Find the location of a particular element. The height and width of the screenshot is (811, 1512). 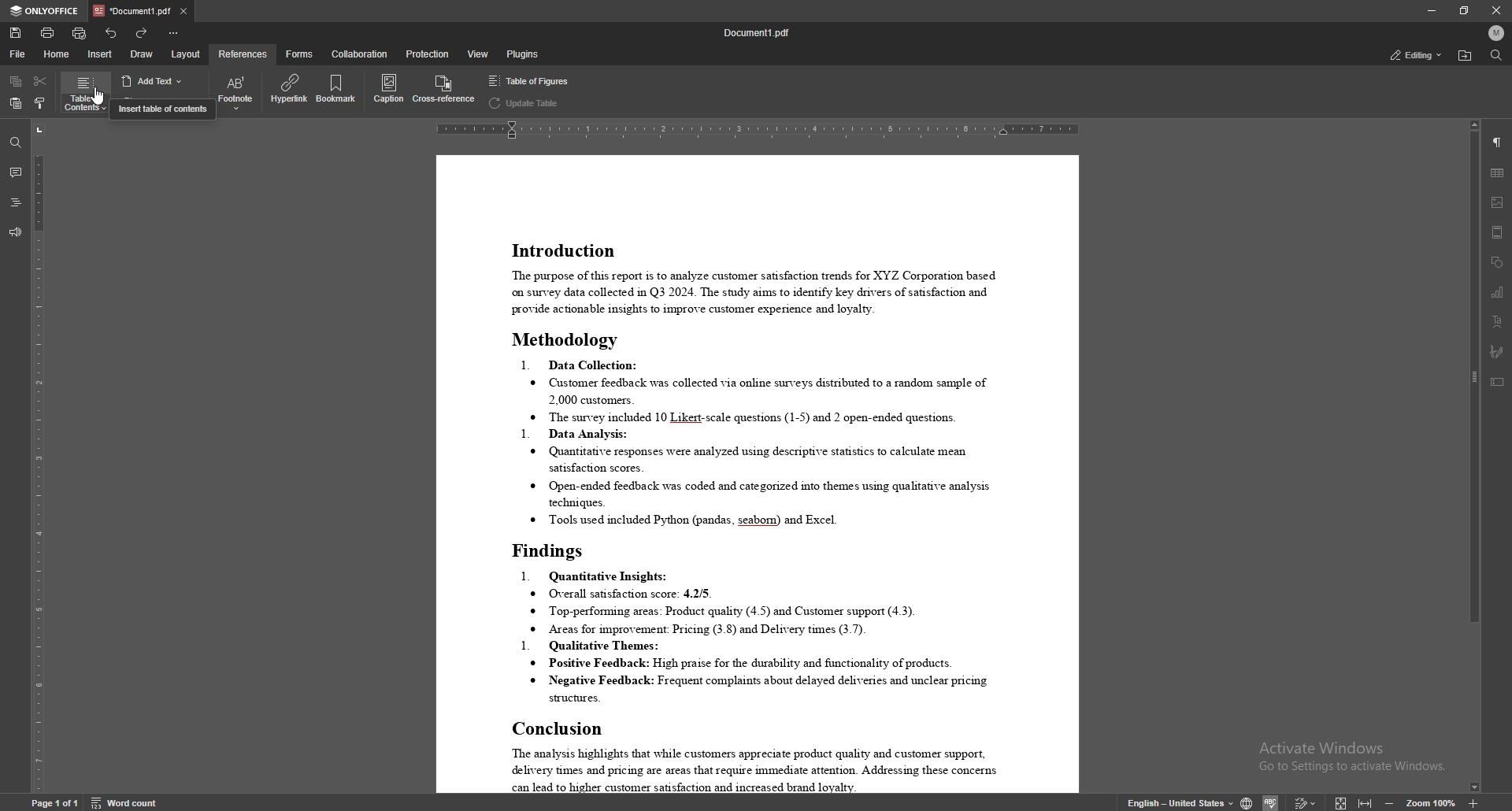

signature field is located at coordinates (1497, 352).